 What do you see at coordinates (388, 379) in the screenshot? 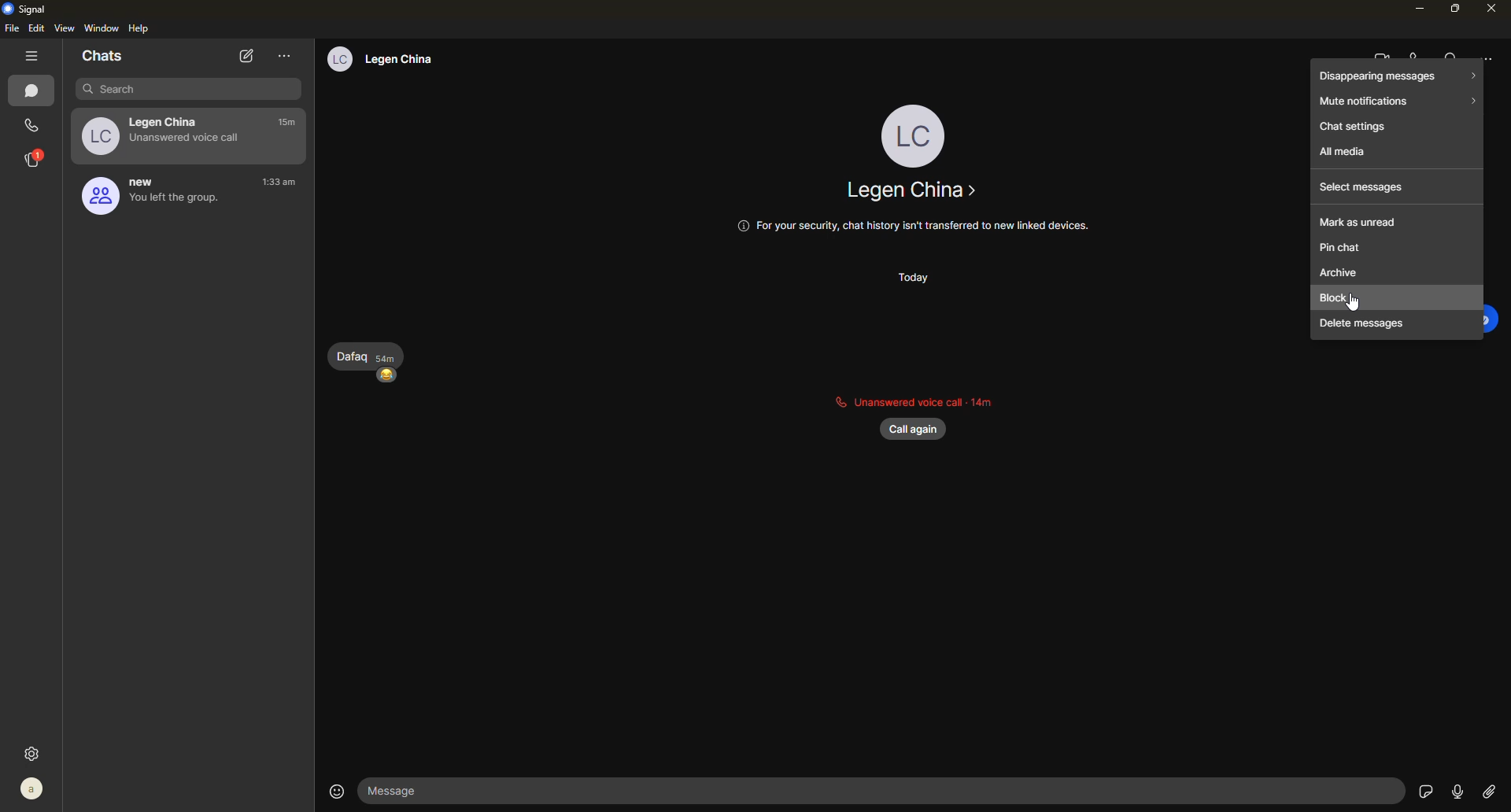
I see `emoji` at bounding box center [388, 379].